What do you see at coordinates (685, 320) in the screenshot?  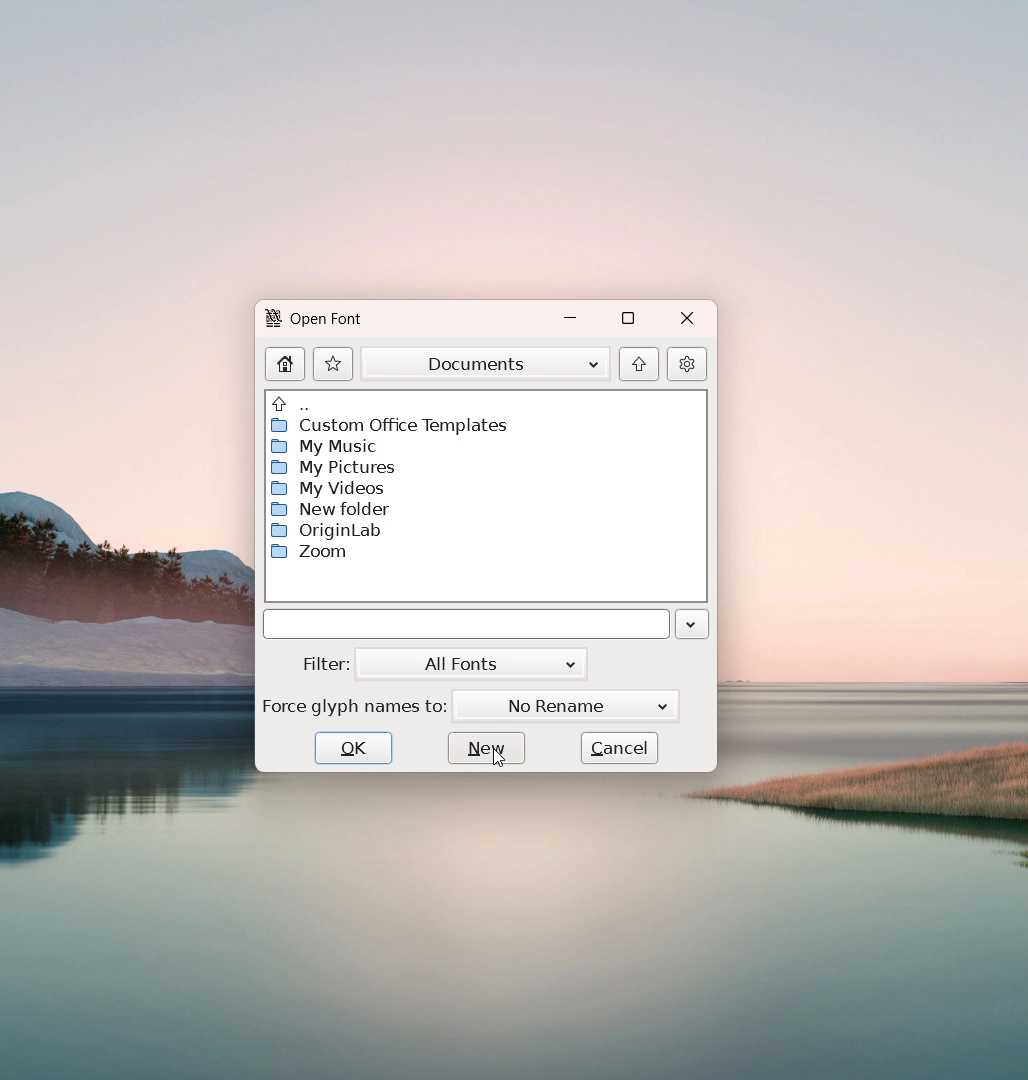 I see `close` at bounding box center [685, 320].